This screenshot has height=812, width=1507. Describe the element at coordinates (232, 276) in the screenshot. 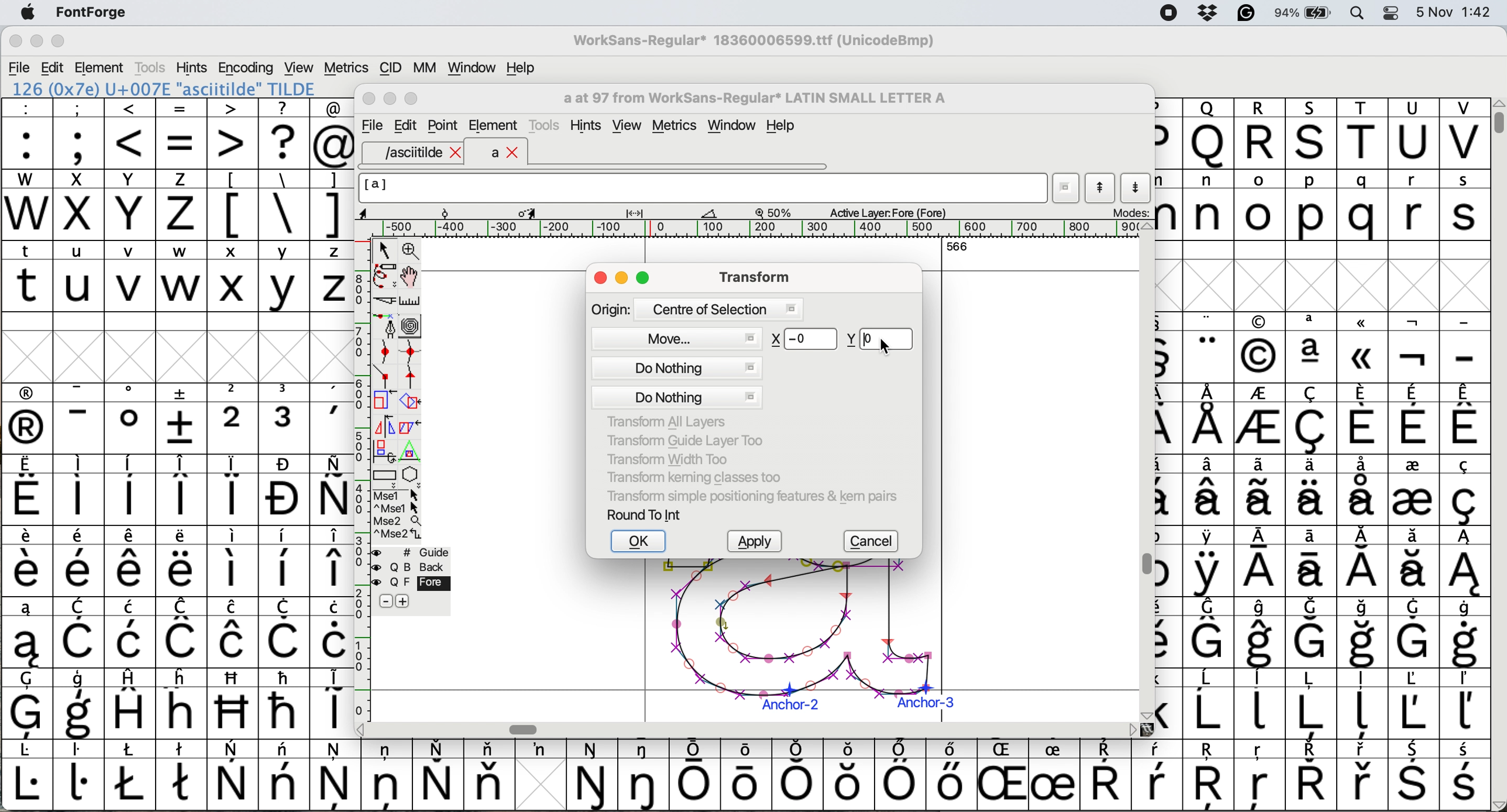

I see `x` at that location.